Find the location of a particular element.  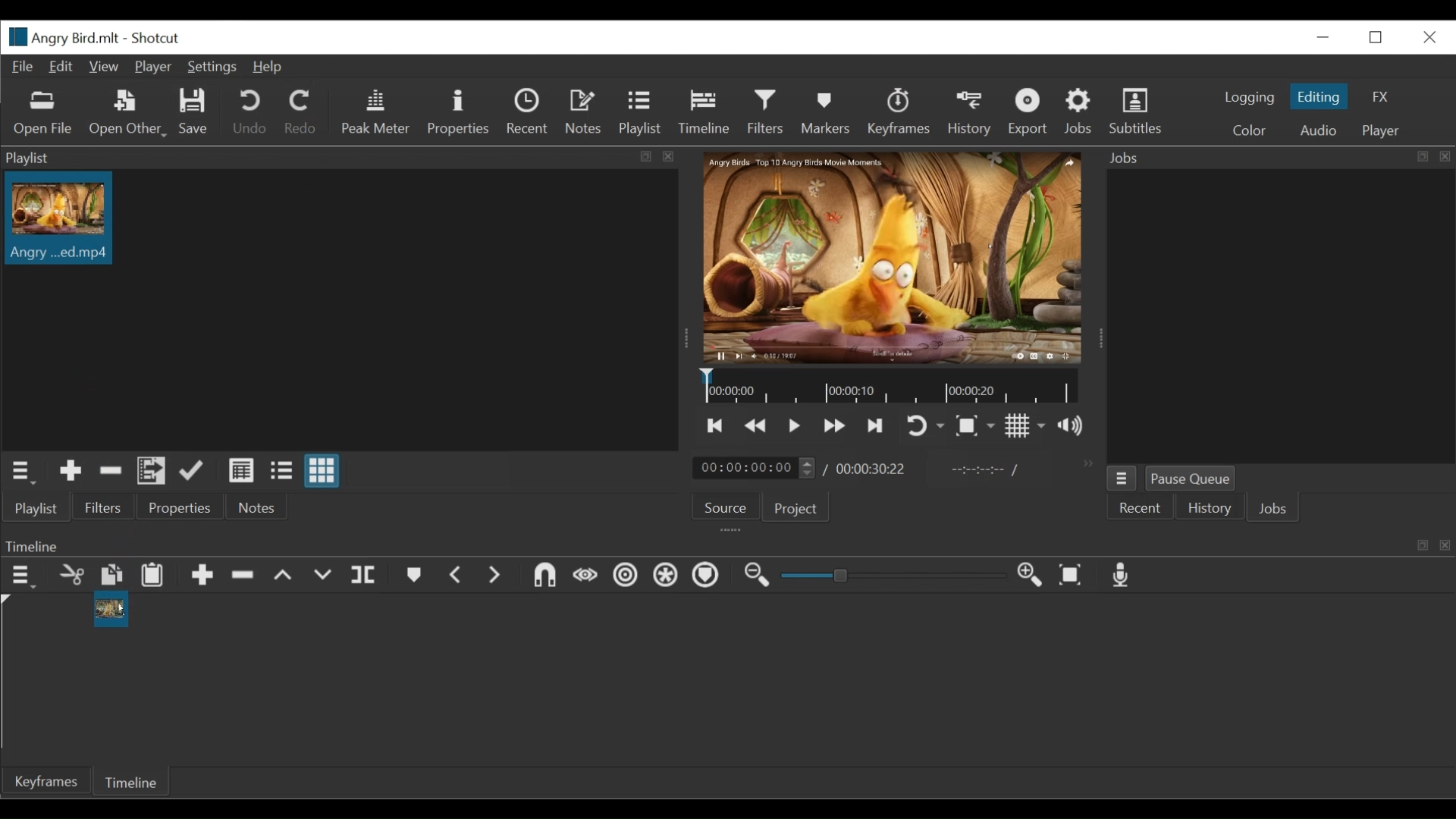

Skip to the next point is located at coordinates (717, 425).